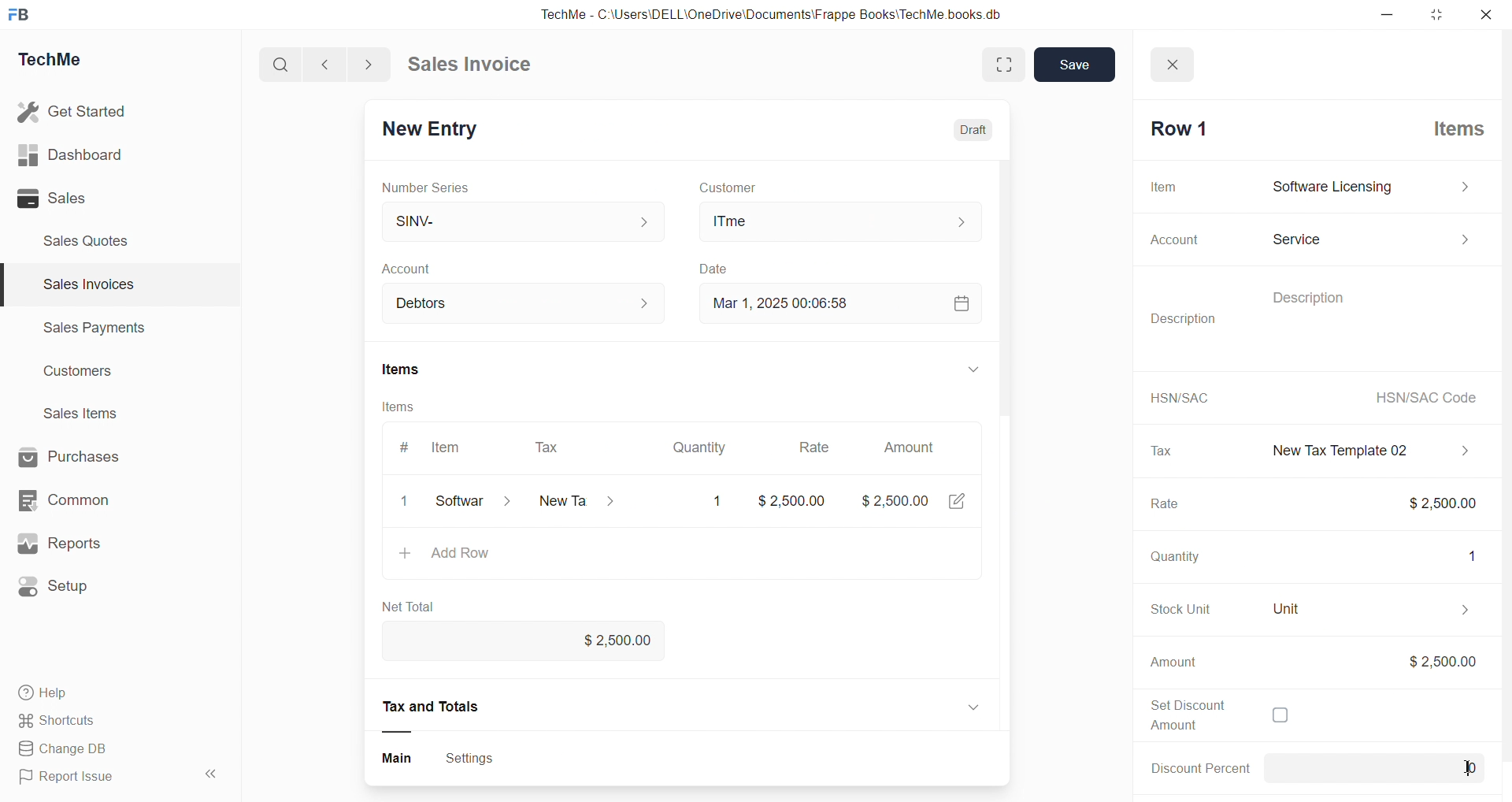 Image resolution: width=1512 pixels, height=802 pixels. What do you see at coordinates (1195, 767) in the screenshot?
I see `Discount Percent` at bounding box center [1195, 767].